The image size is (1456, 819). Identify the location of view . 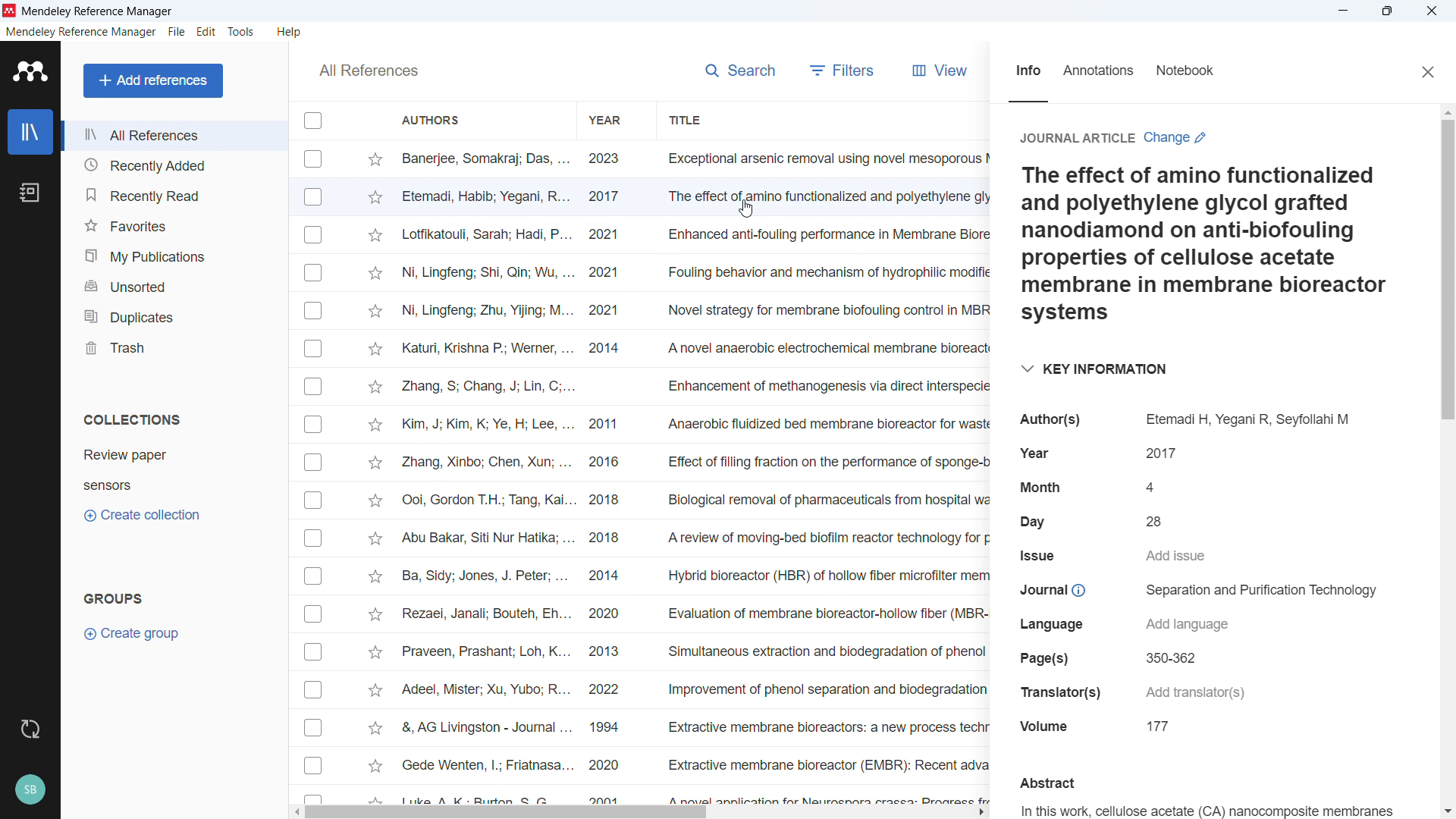
(938, 70).